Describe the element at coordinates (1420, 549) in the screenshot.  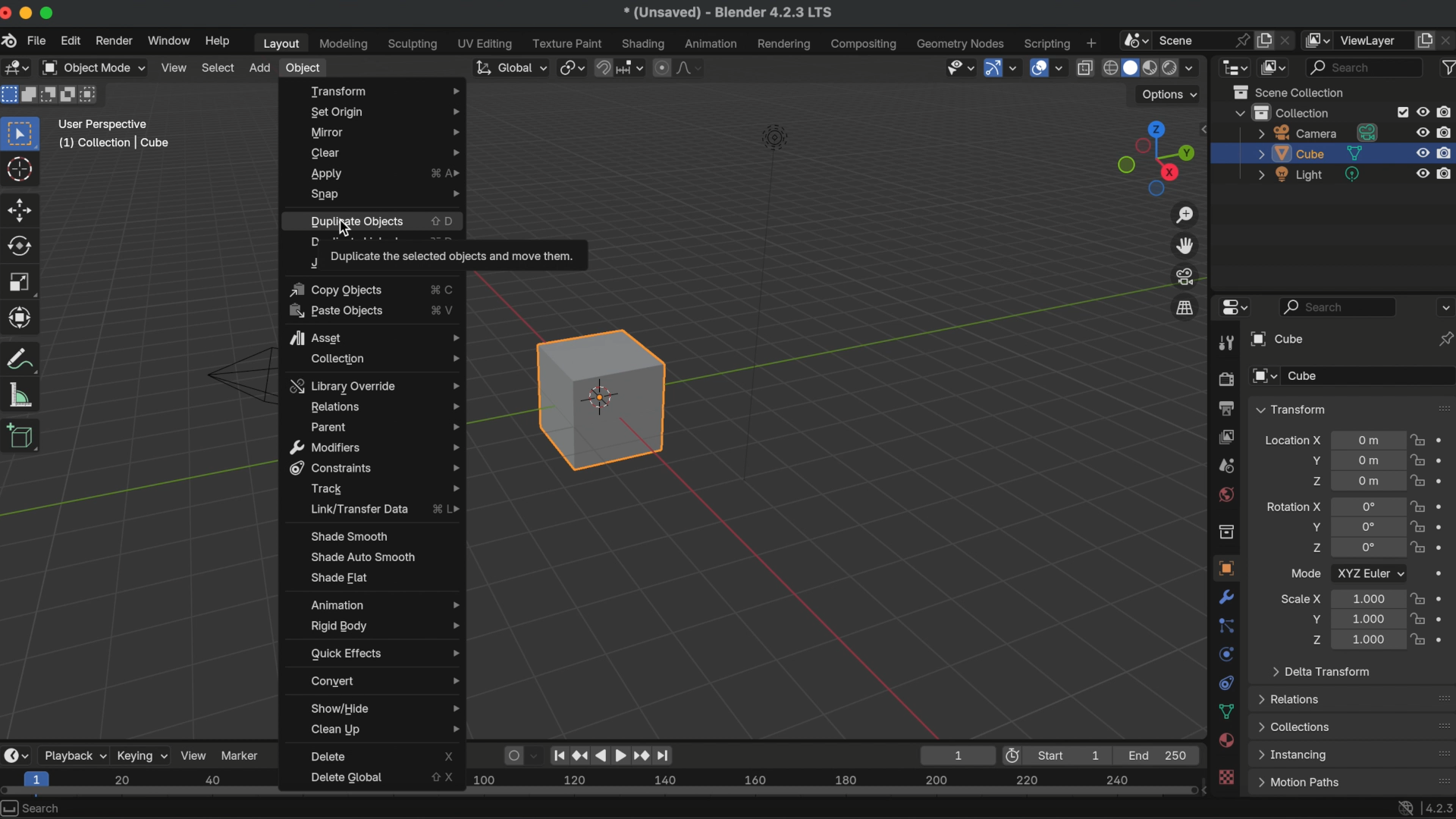
I see `lock rotation` at that location.